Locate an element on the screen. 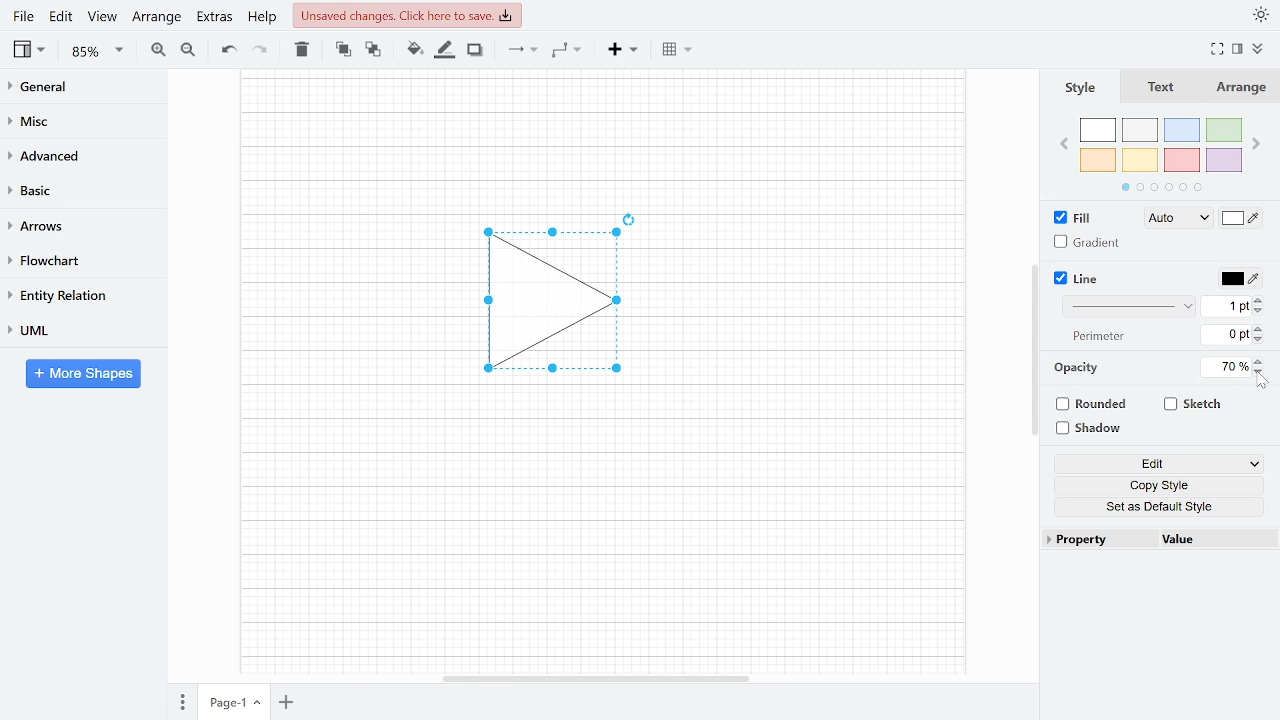 Image resolution: width=1280 pixels, height=720 pixels. Increase Opacity is located at coordinates (1260, 360).